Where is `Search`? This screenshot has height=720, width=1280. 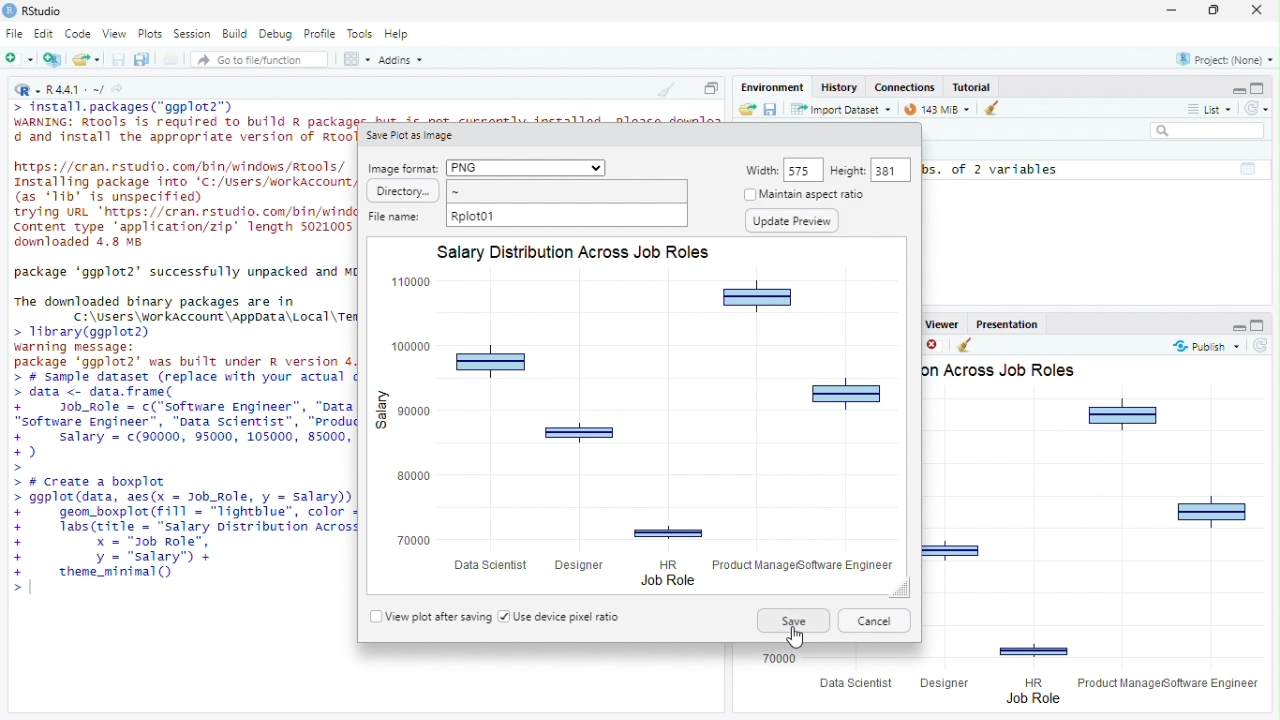 Search is located at coordinates (1208, 130).